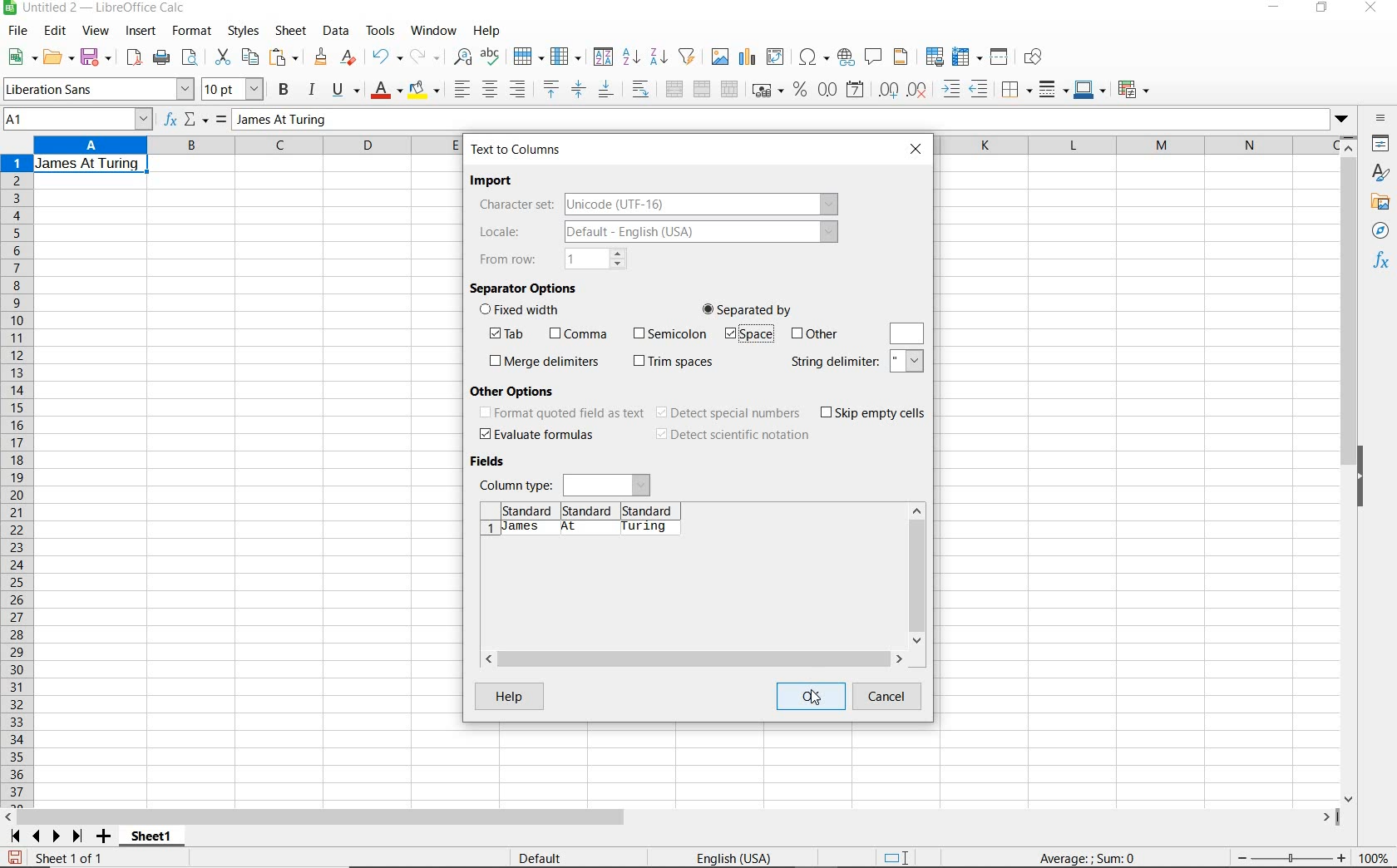  I want to click on add sheet, so click(101, 837).